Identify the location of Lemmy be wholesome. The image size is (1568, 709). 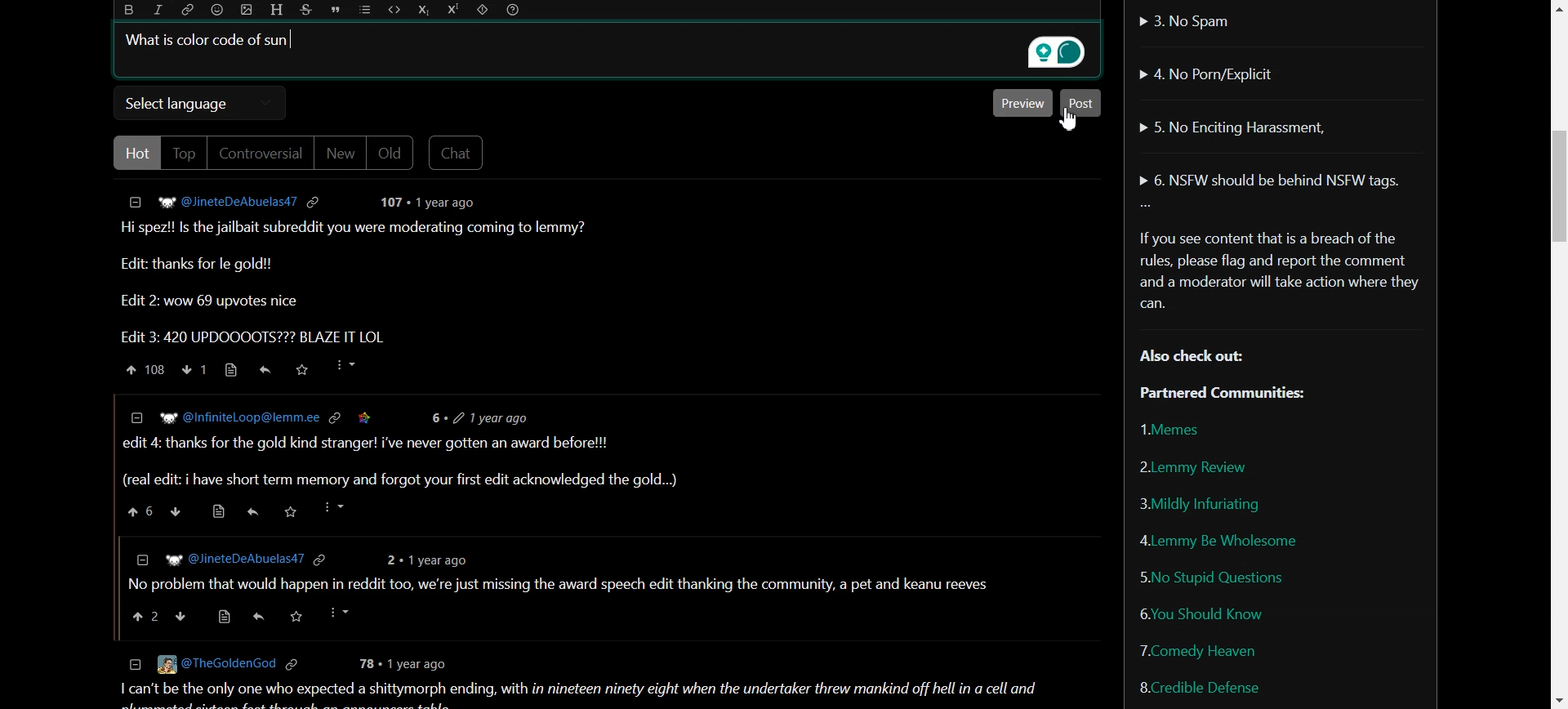
(1223, 541).